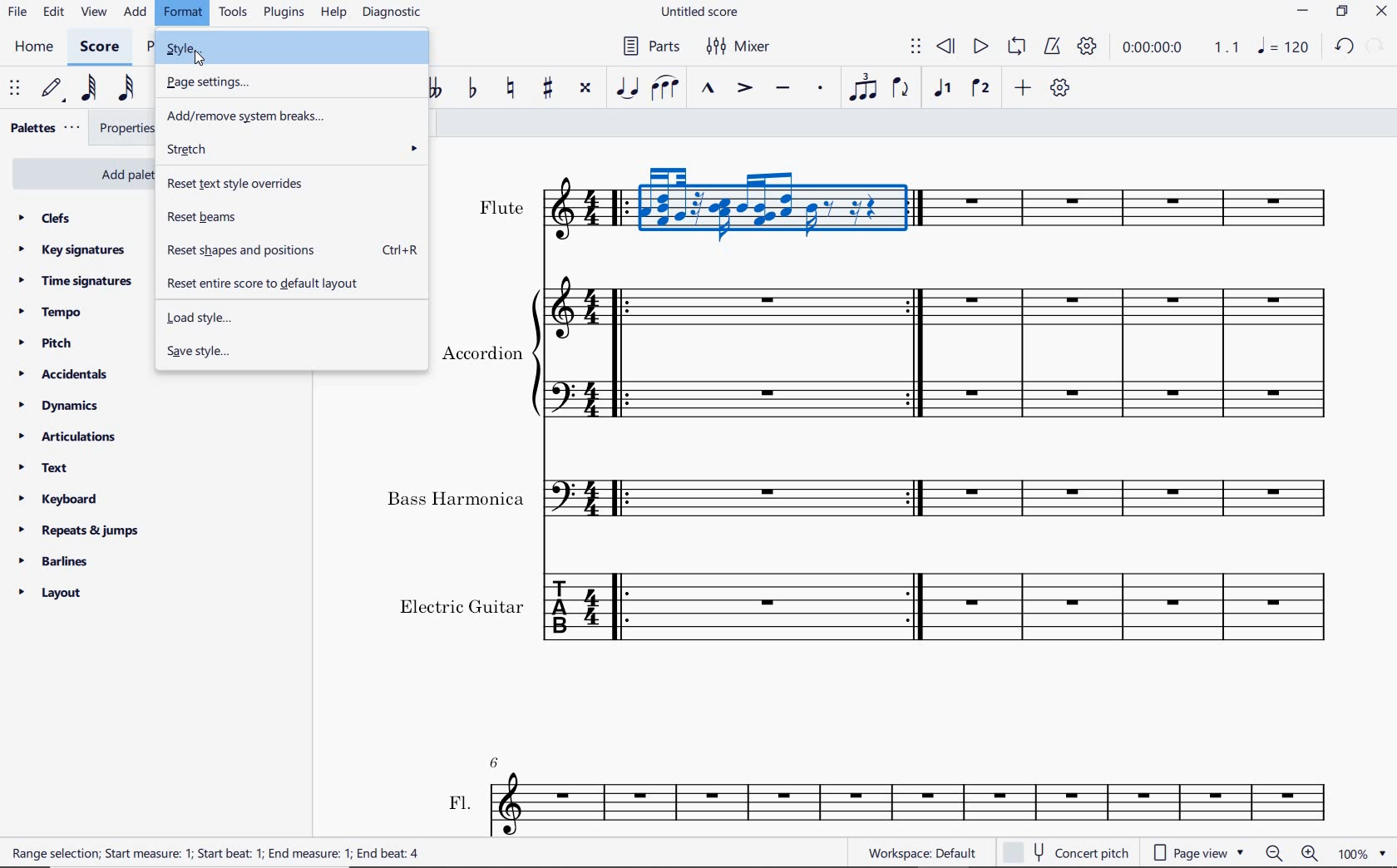  What do you see at coordinates (44, 218) in the screenshot?
I see `clefs` at bounding box center [44, 218].